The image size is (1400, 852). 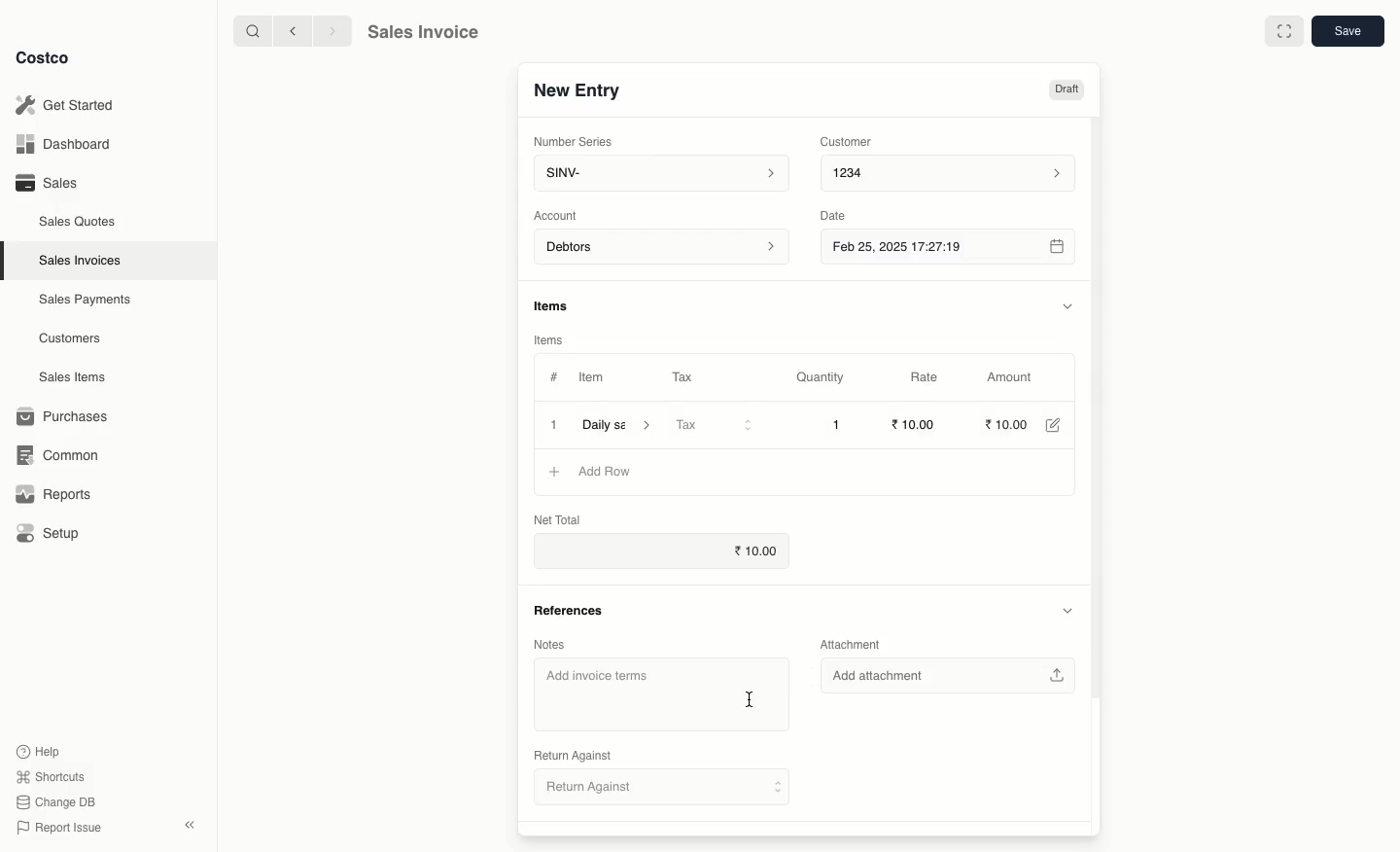 I want to click on Feb 25, 2025 17:27:19, so click(x=951, y=250).